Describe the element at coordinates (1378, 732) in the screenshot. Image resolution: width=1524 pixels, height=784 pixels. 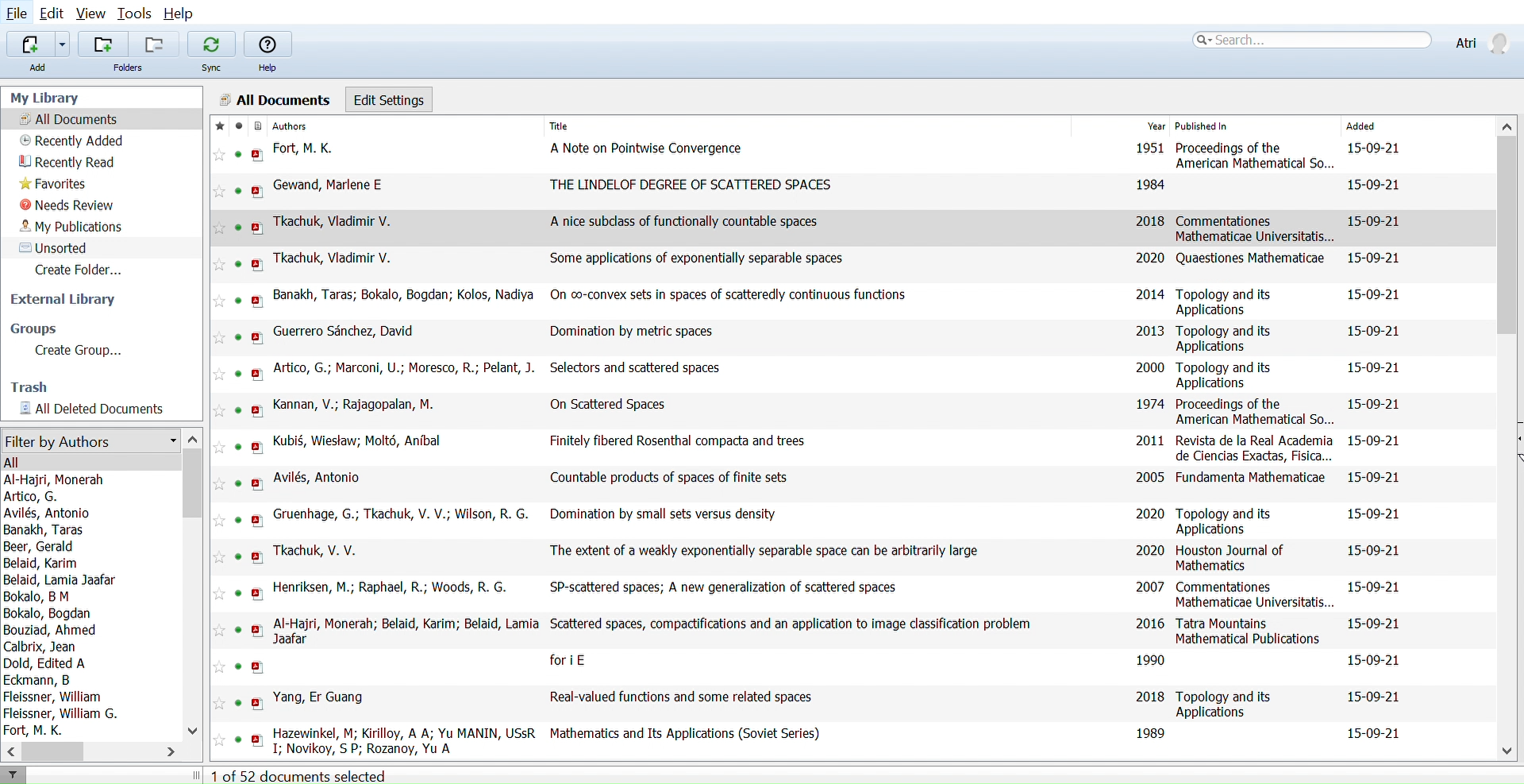
I see `15-09-21` at that location.